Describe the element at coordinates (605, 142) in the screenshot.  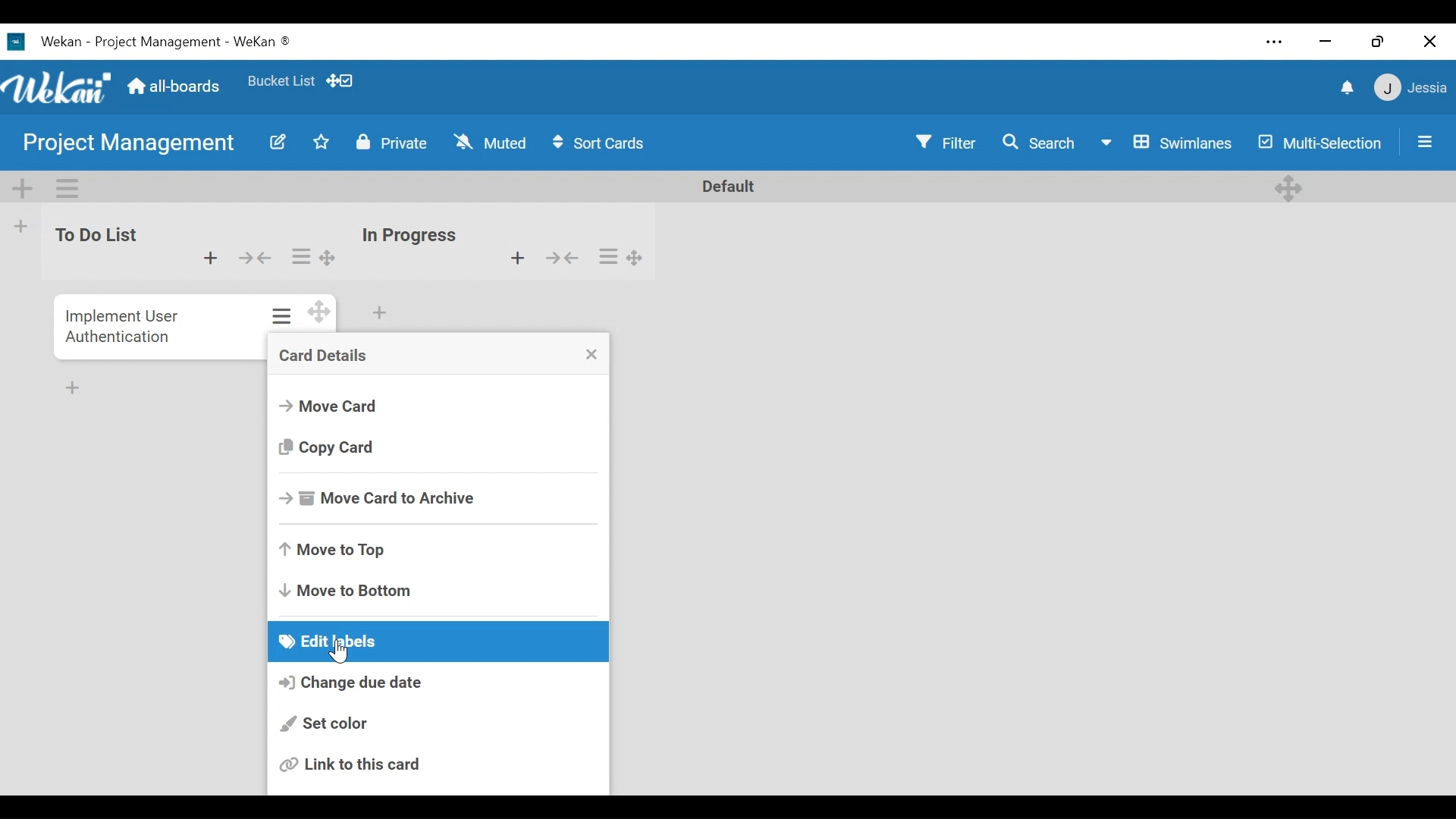
I see `$ Sort Cards` at that location.